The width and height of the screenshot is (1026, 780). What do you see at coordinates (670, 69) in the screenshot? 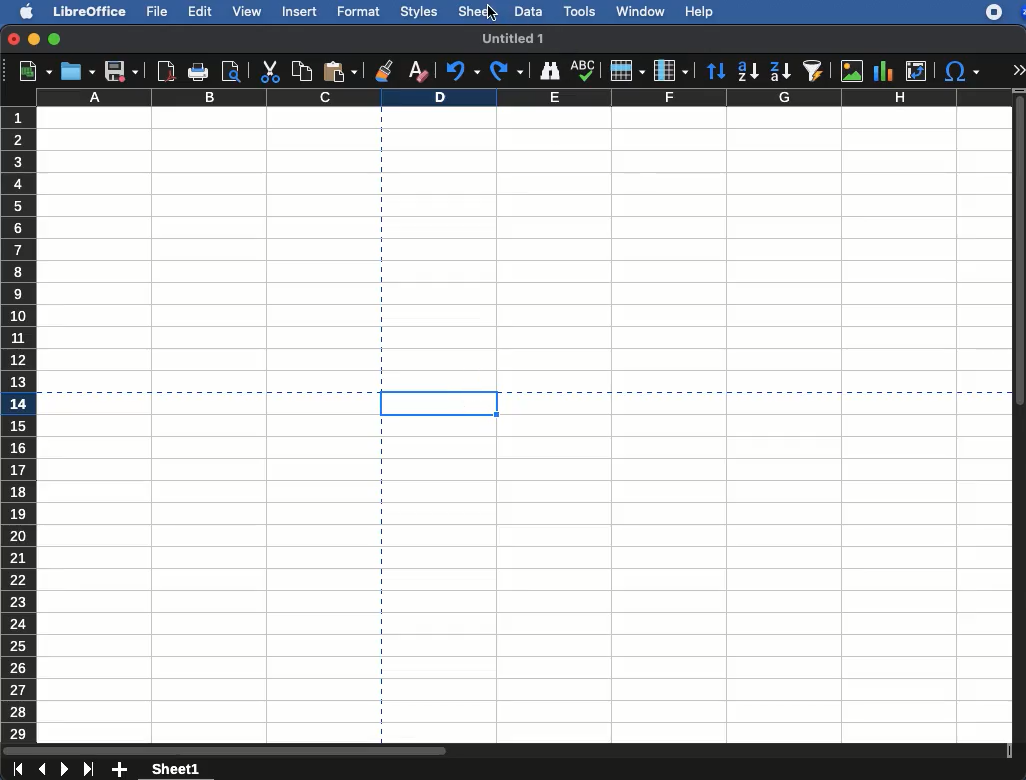
I see `column` at bounding box center [670, 69].